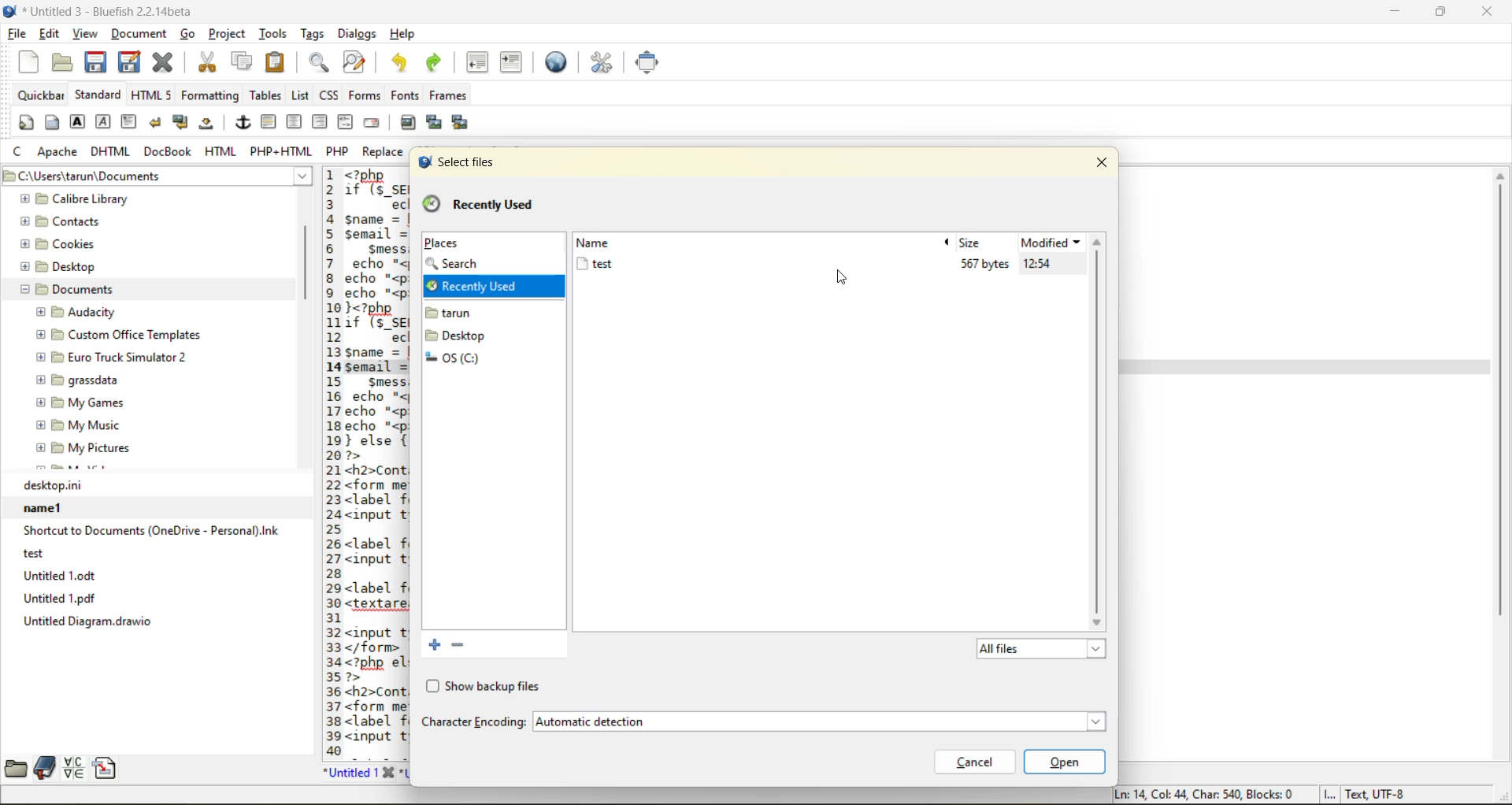 The height and width of the screenshot is (805, 1512). What do you see at coordinates (295, 122) in the screenshot?
I see `center` at bounding box center [295, 122].